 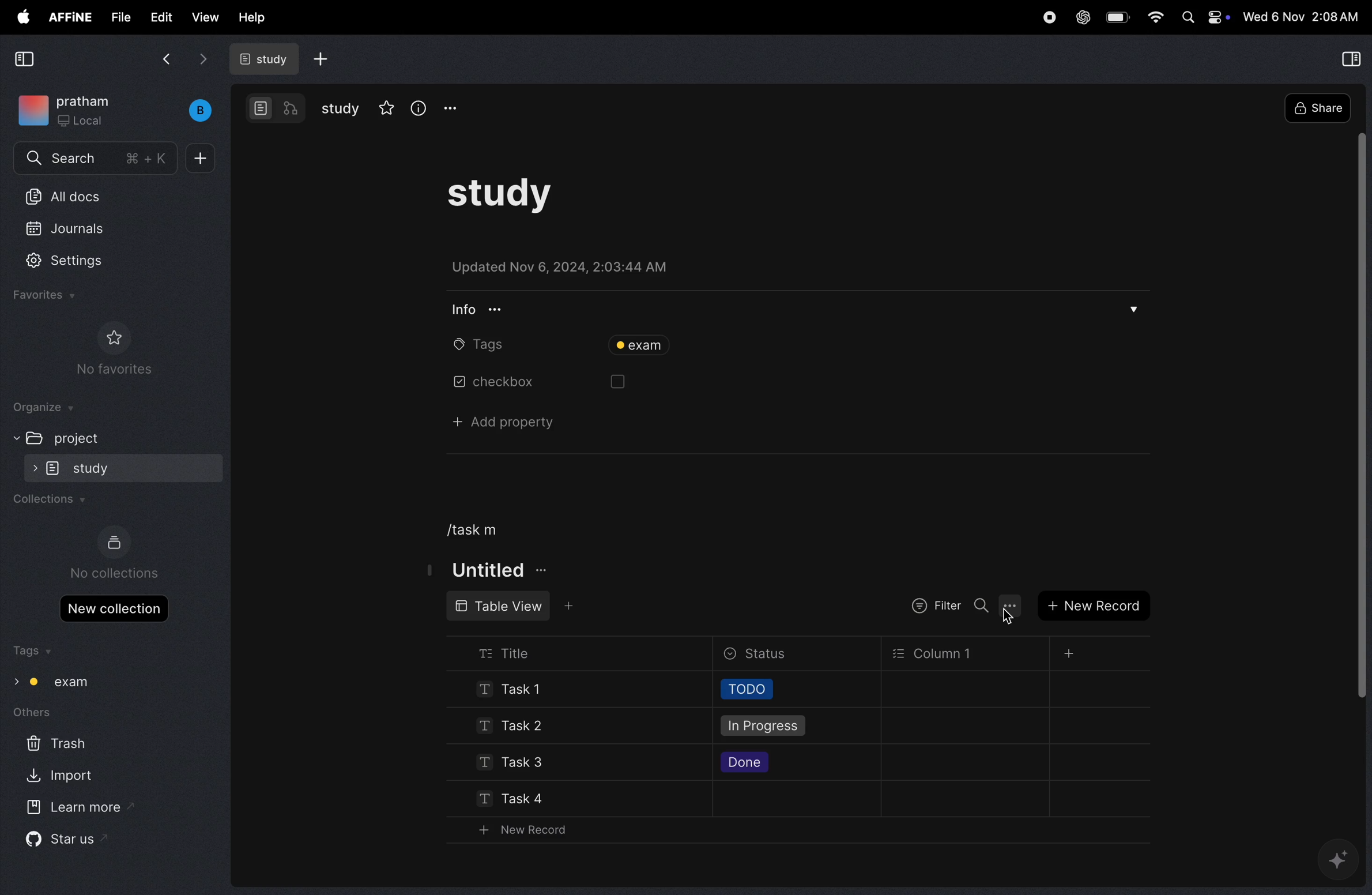 What do you see at coordinates (77, 810) in the screenshot?
I see `learn more` at bounding box center [77, 810].